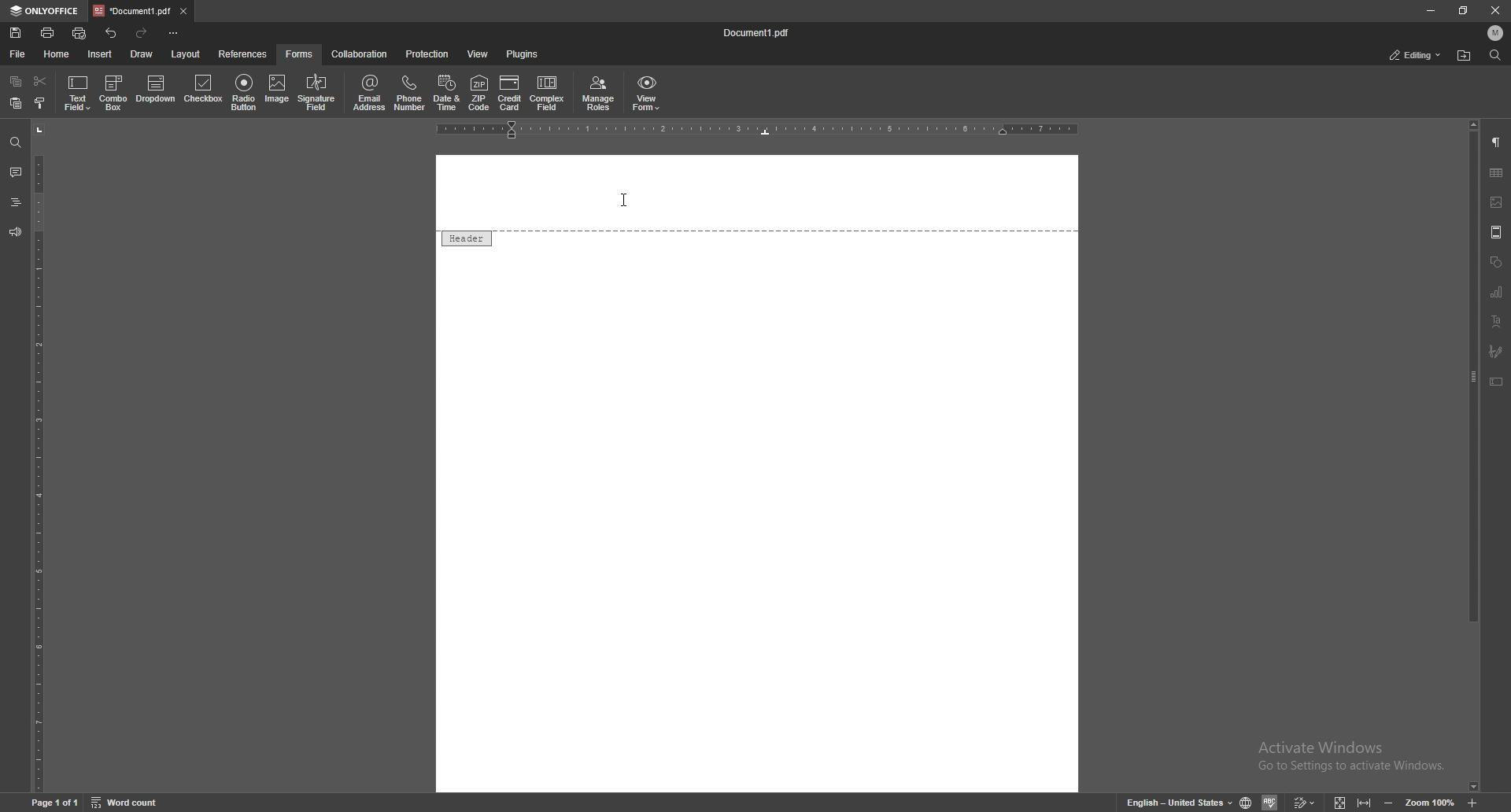 This screenshot has width=1511, height=812. What do you see at coordinates (1387, 802) in the screenshot?
I see `zoom out` at bounding box center [1387, 802].